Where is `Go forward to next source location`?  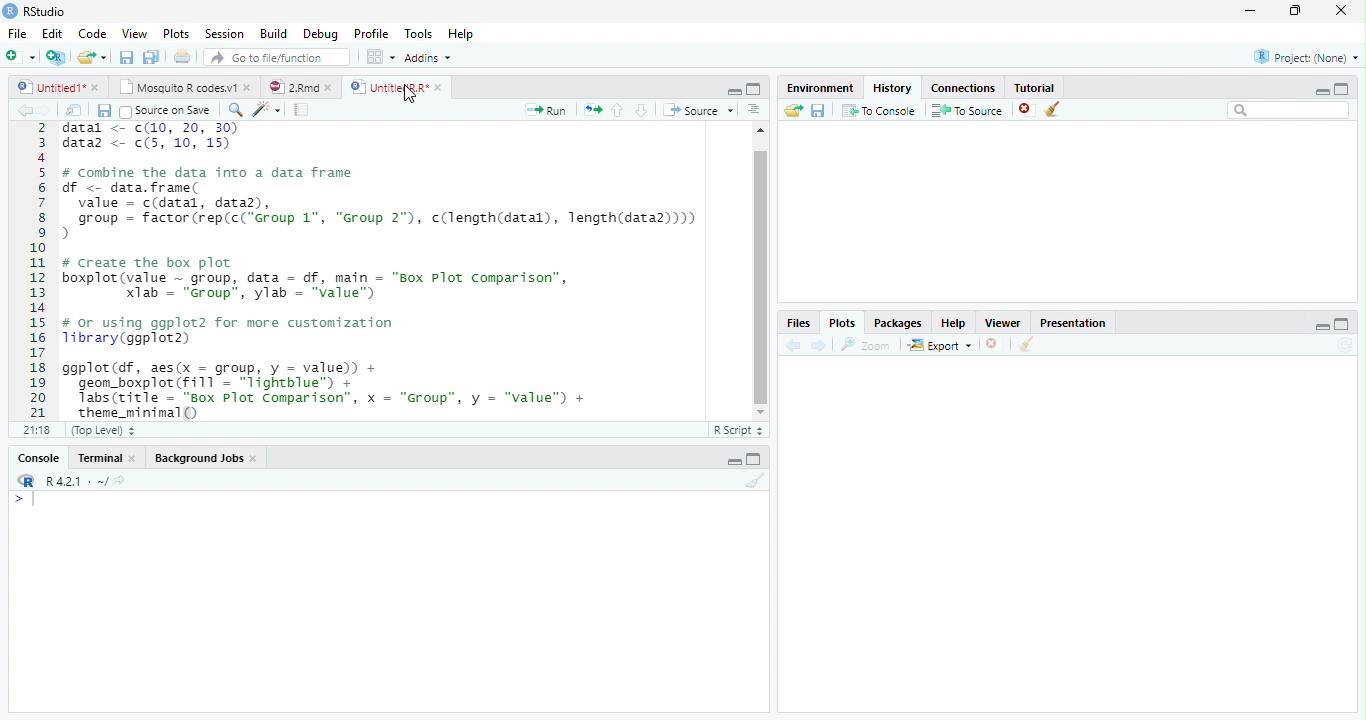 Go forward to next source location is located at coordinates (44, 111).